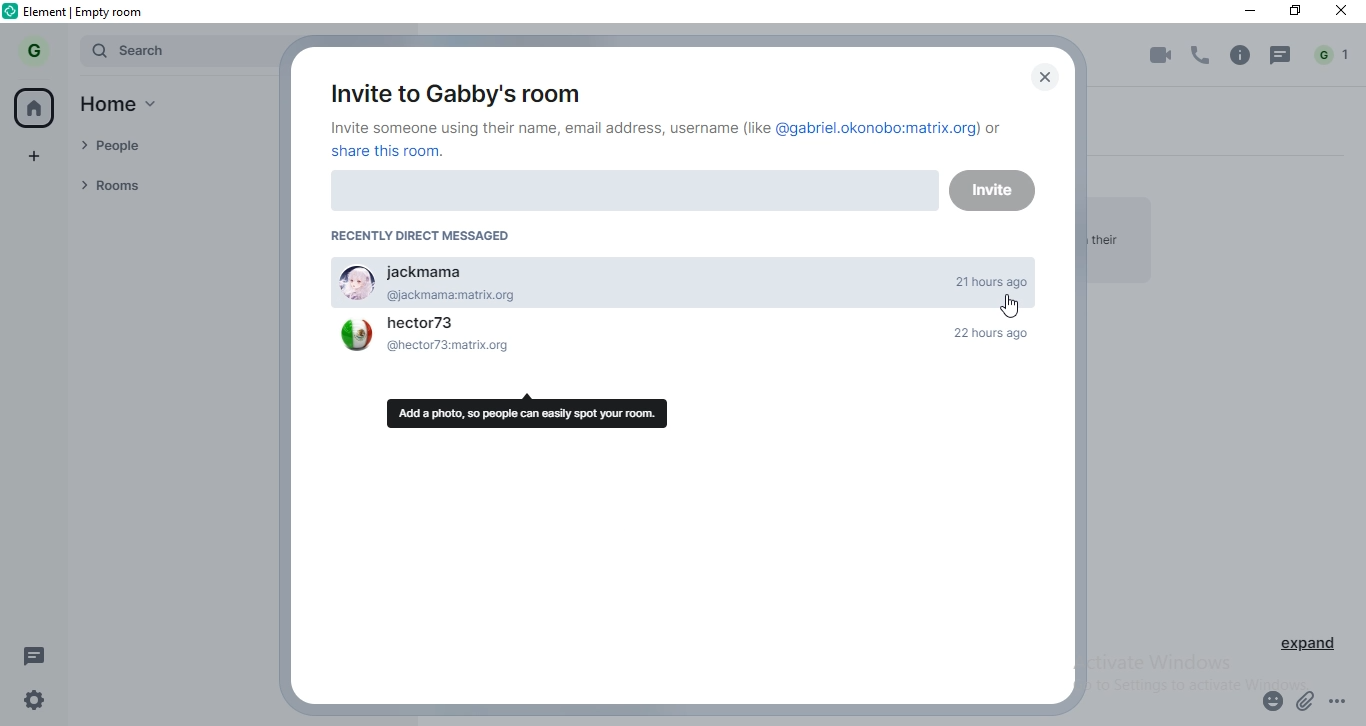  Describe the element at coordinates (37, 50) in the screenshot. I see `G` at that location.